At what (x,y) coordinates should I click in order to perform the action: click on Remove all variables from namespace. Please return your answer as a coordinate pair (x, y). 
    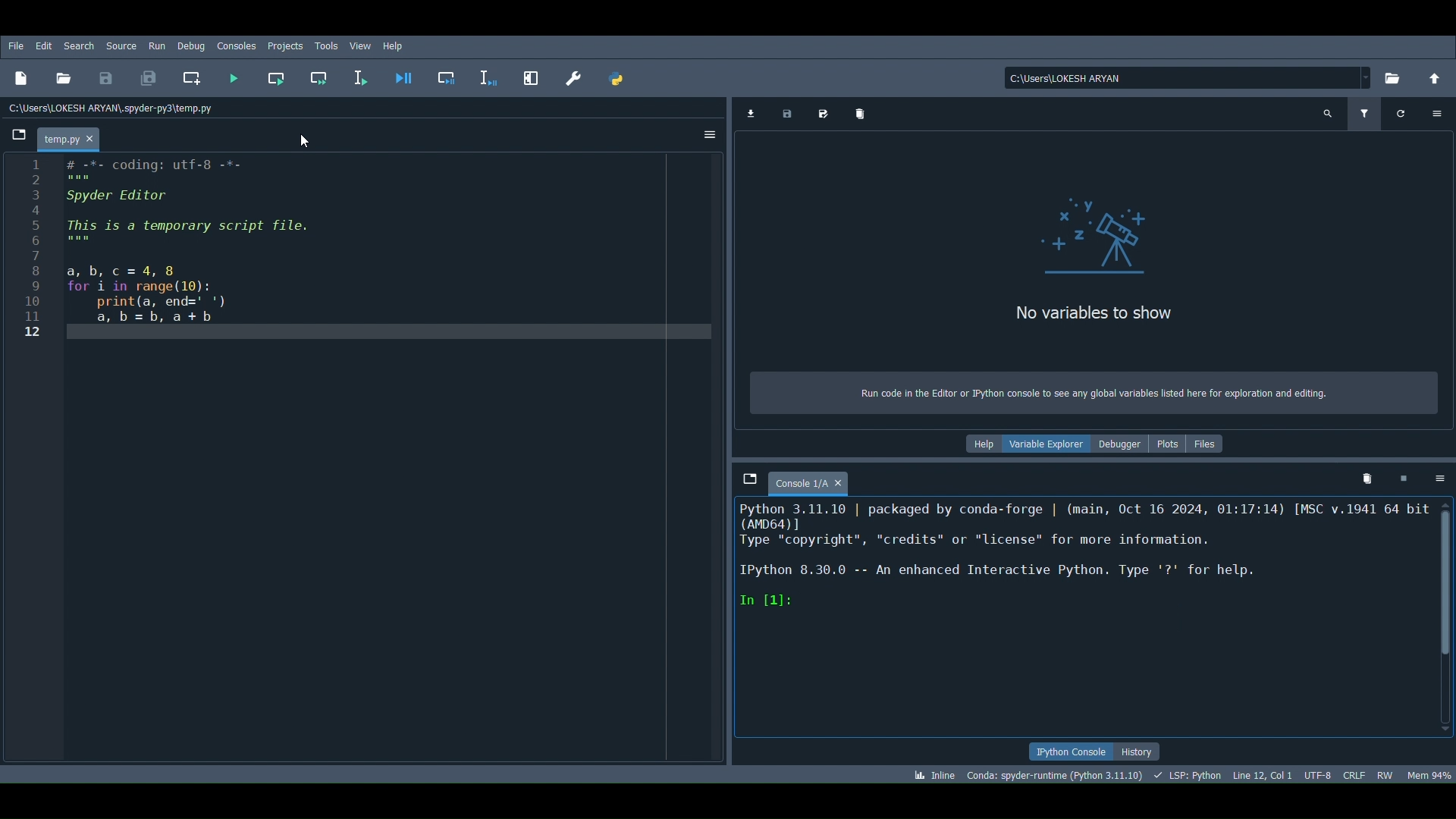
    Looking at the image, I should click on (1370, 475).